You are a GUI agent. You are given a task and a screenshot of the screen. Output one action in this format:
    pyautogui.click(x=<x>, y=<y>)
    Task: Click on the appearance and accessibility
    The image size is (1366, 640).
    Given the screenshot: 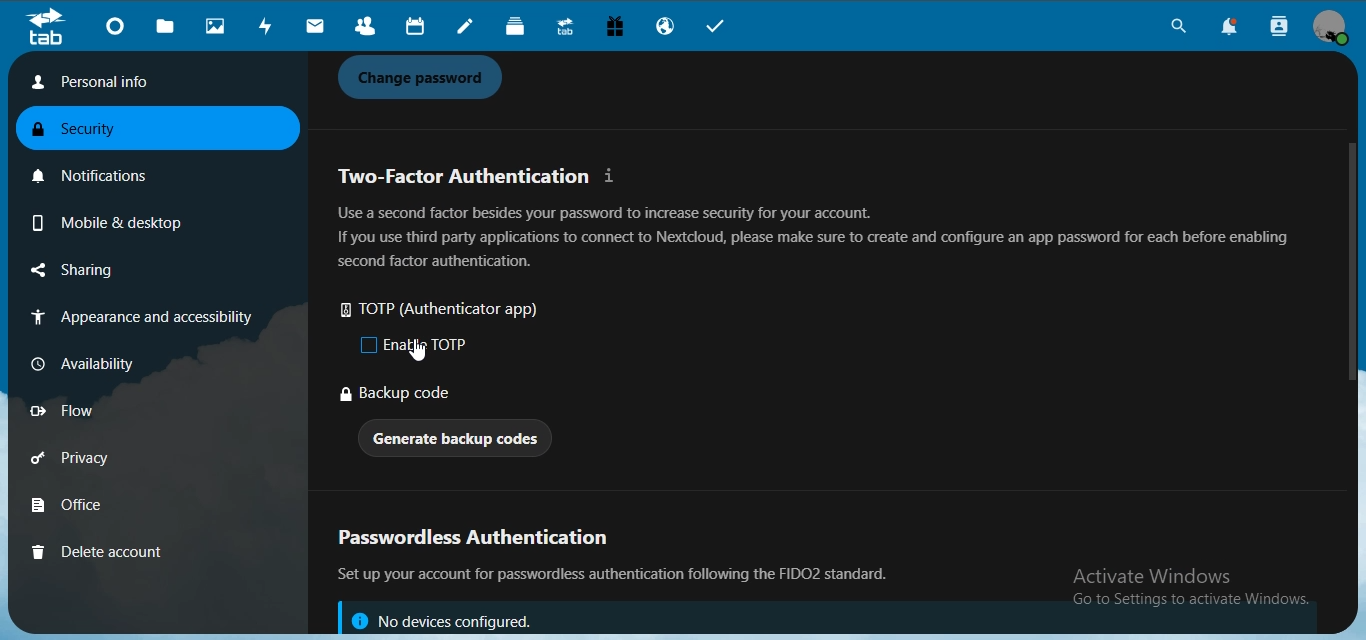 What is the action you would take?
    pyautogui.click(x=138, y=319)
    